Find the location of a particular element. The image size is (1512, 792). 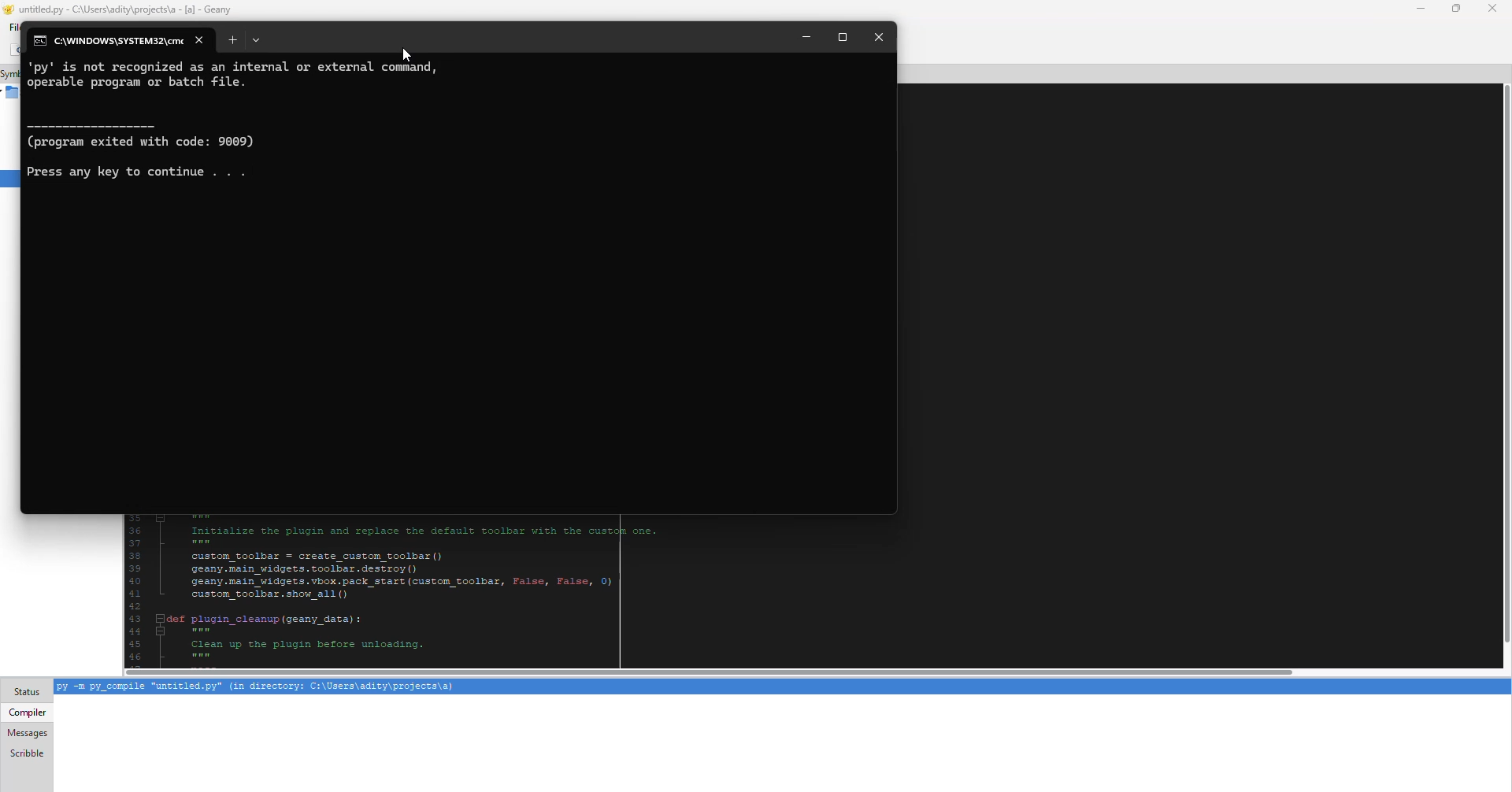

status is located at coordinates (26, 692).